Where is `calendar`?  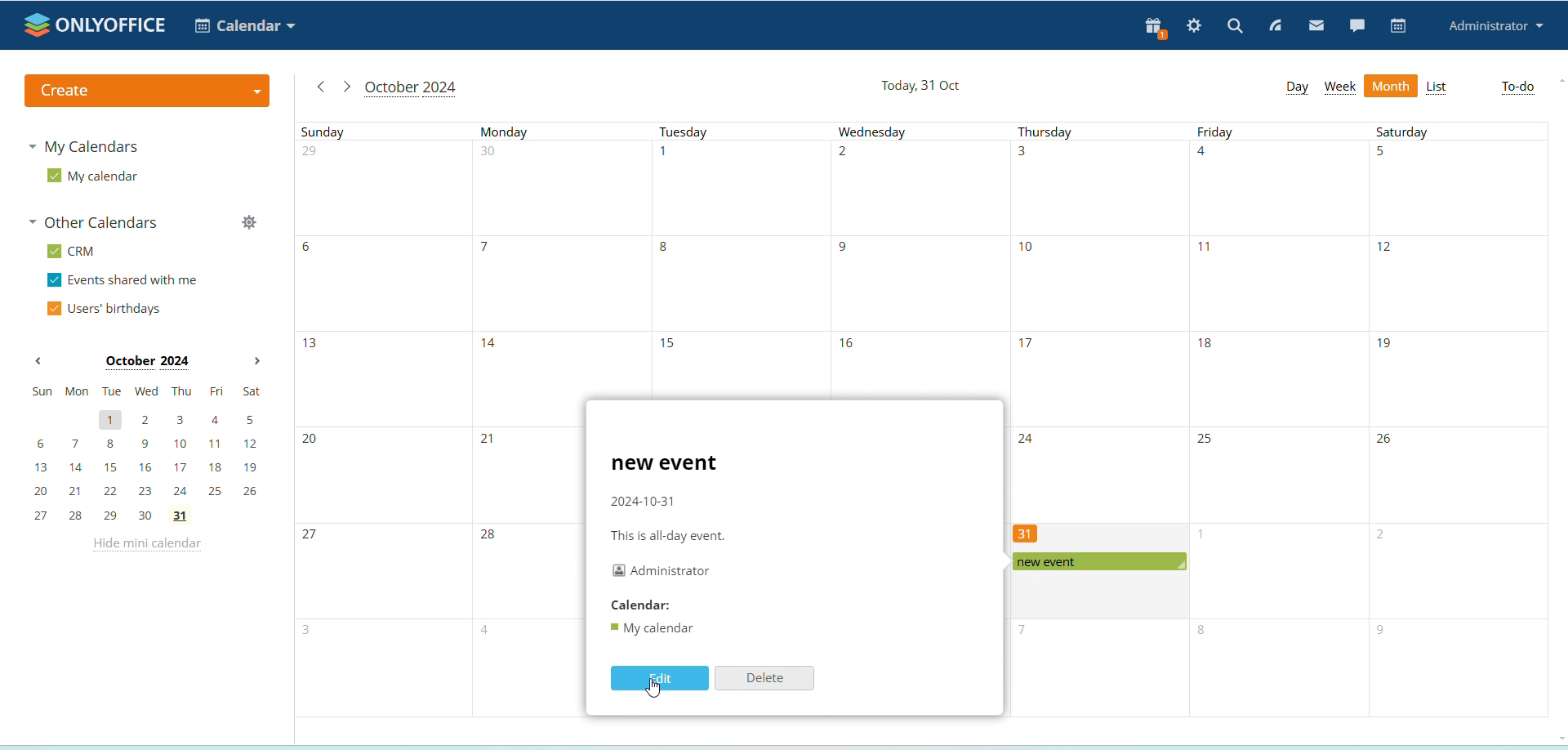
calendar is located at coordinates (639, 605).